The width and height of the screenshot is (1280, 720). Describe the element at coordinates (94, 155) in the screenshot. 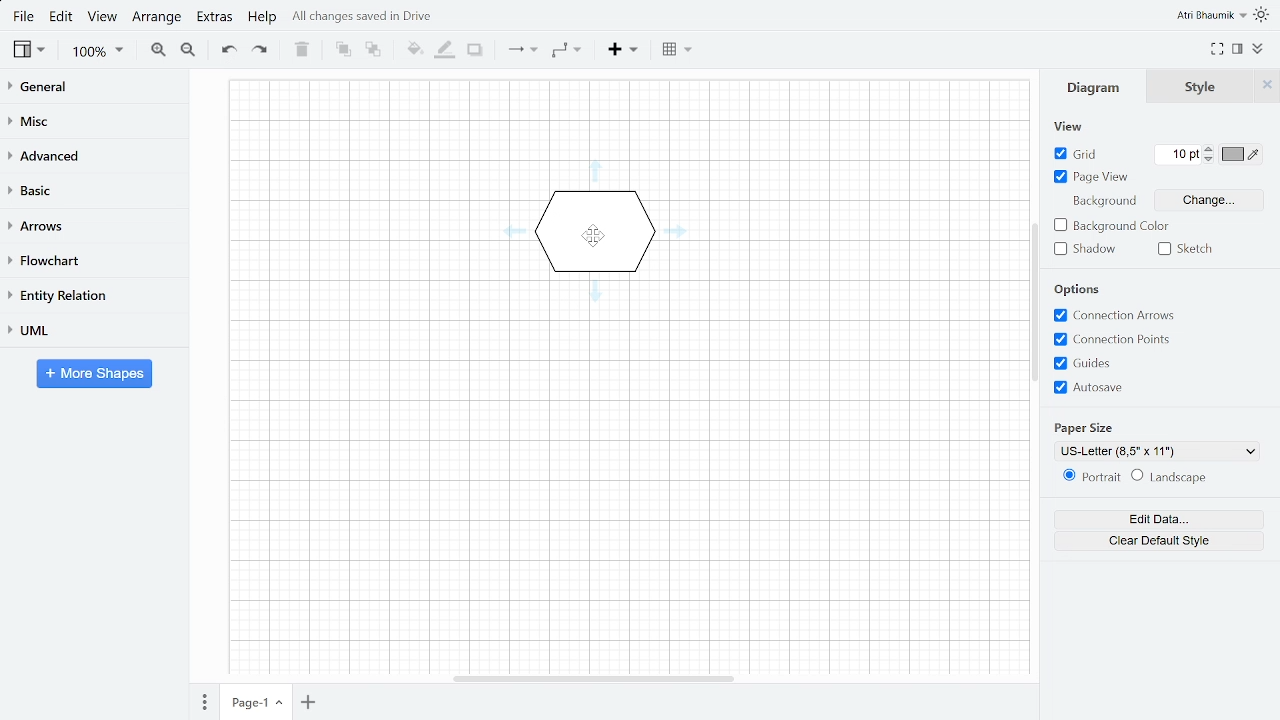

I see `advanced` at that location.